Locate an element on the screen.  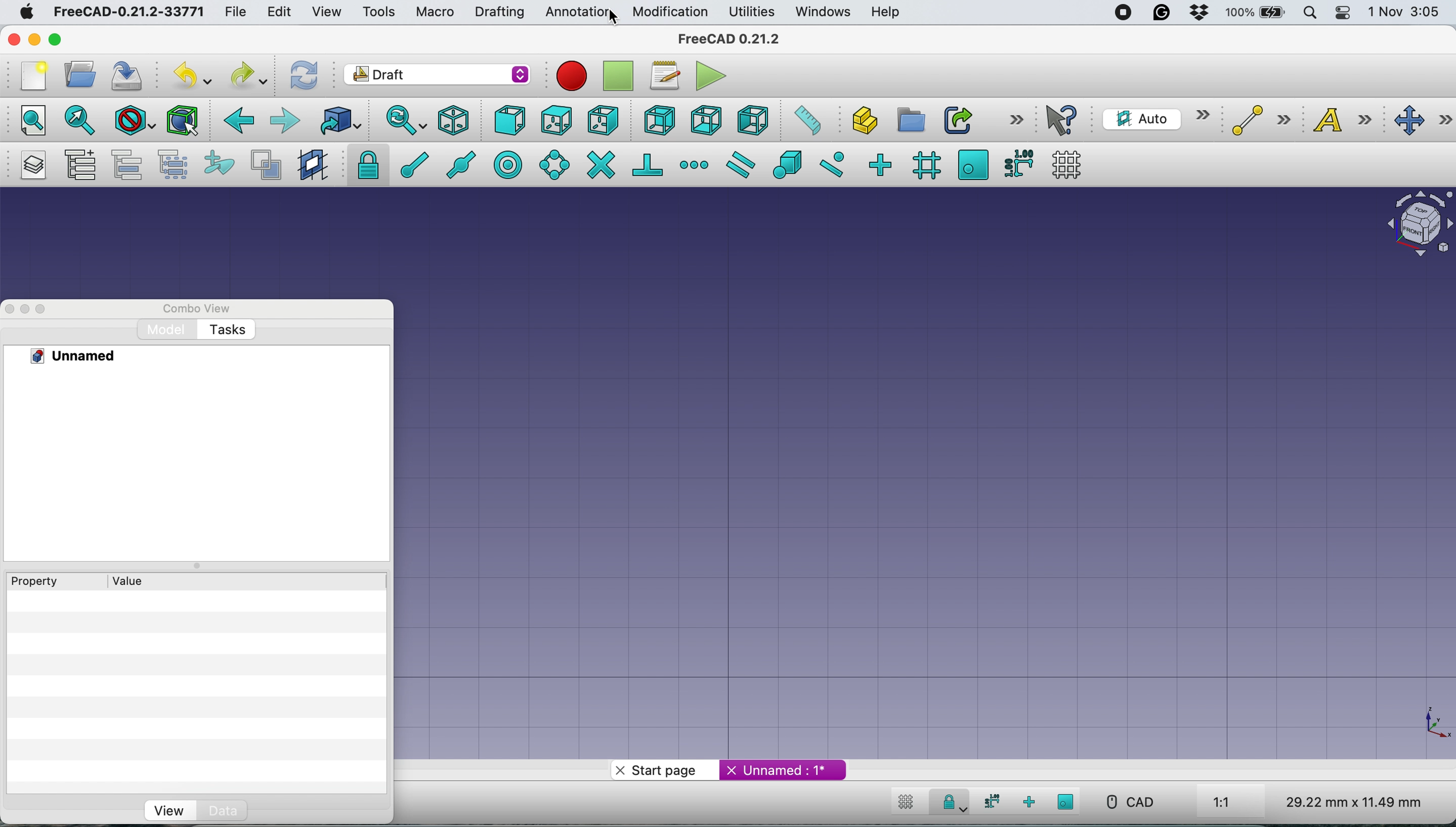
snap ortho is located at coordinates (881, 164).